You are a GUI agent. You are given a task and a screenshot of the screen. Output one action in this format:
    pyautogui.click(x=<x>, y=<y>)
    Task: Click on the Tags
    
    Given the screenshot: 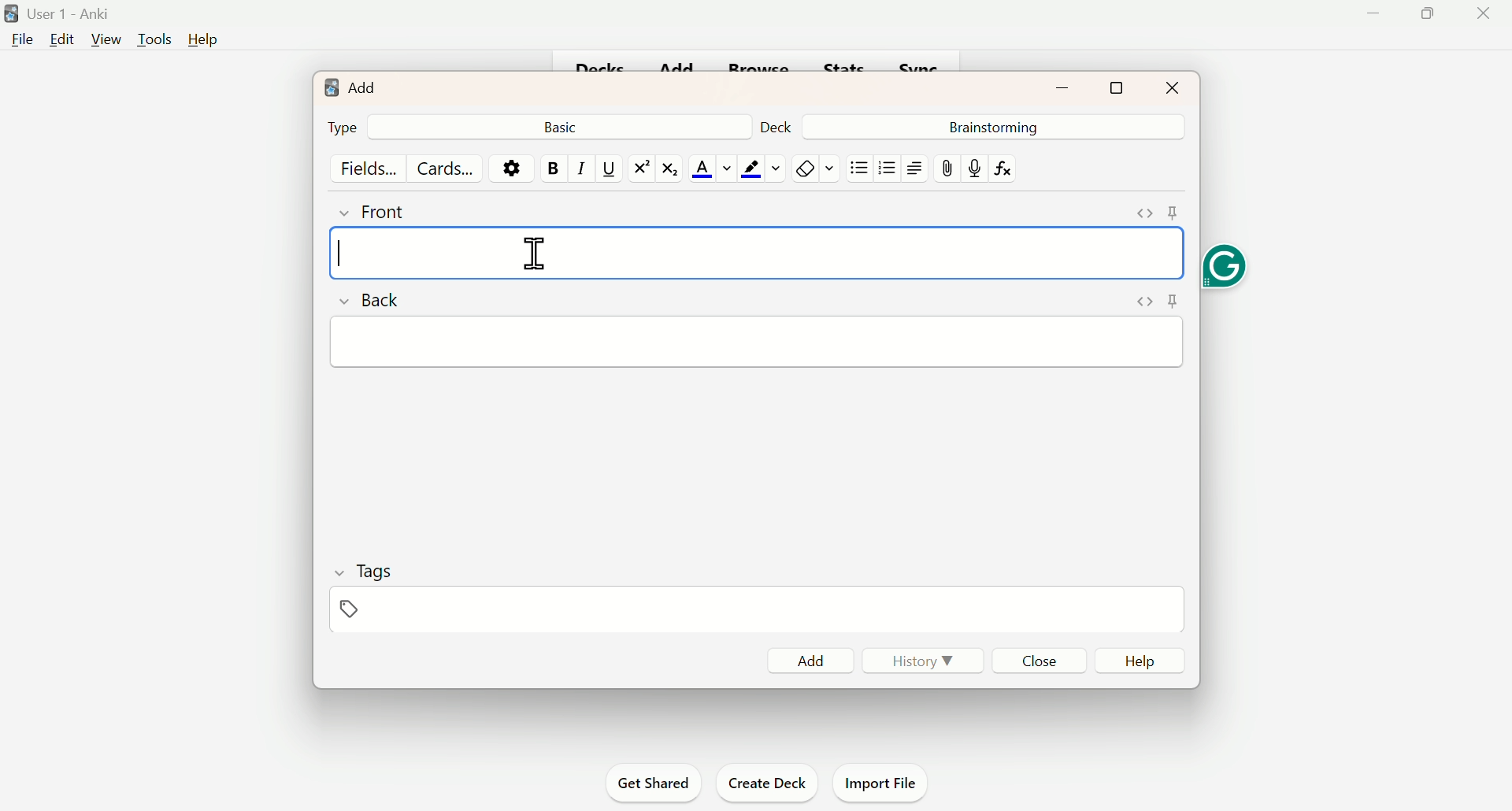 What is the action you would take?
    pyautogui.click(x=365, y=587)
    